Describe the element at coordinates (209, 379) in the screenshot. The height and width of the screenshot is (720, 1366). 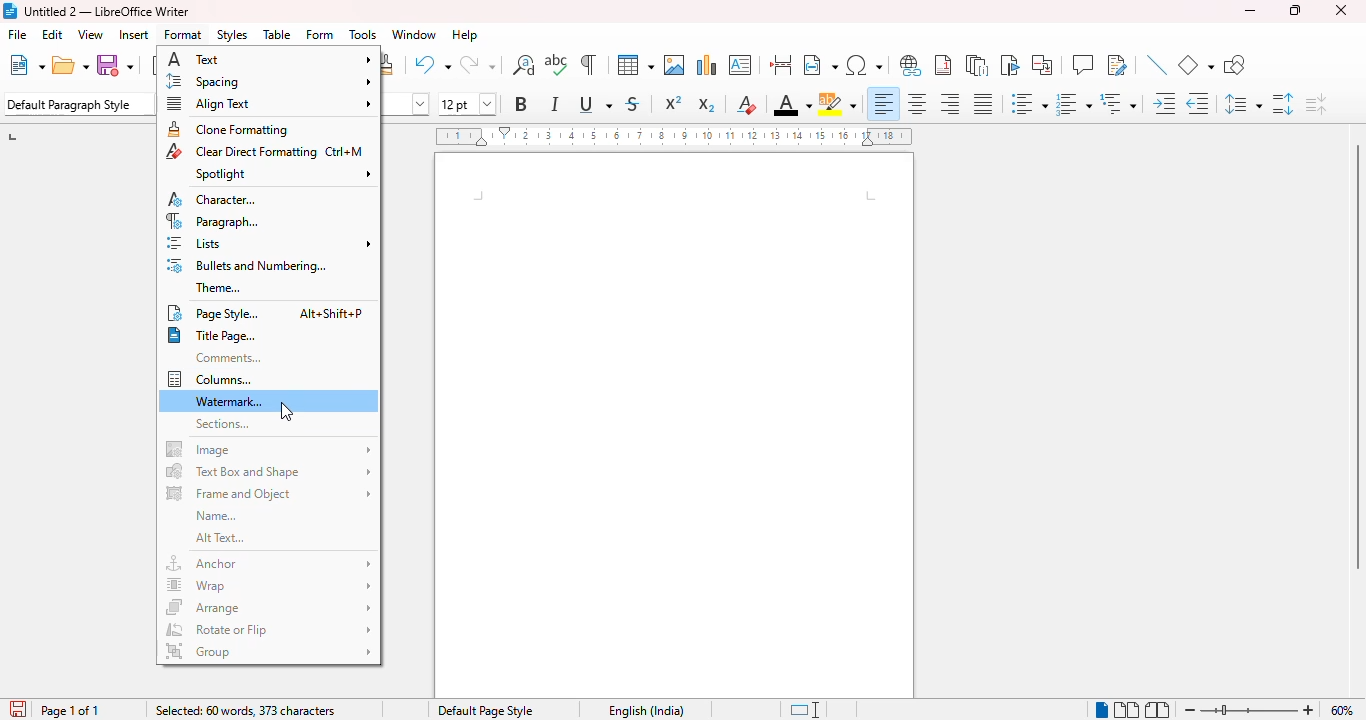
I see `columns` at that location.